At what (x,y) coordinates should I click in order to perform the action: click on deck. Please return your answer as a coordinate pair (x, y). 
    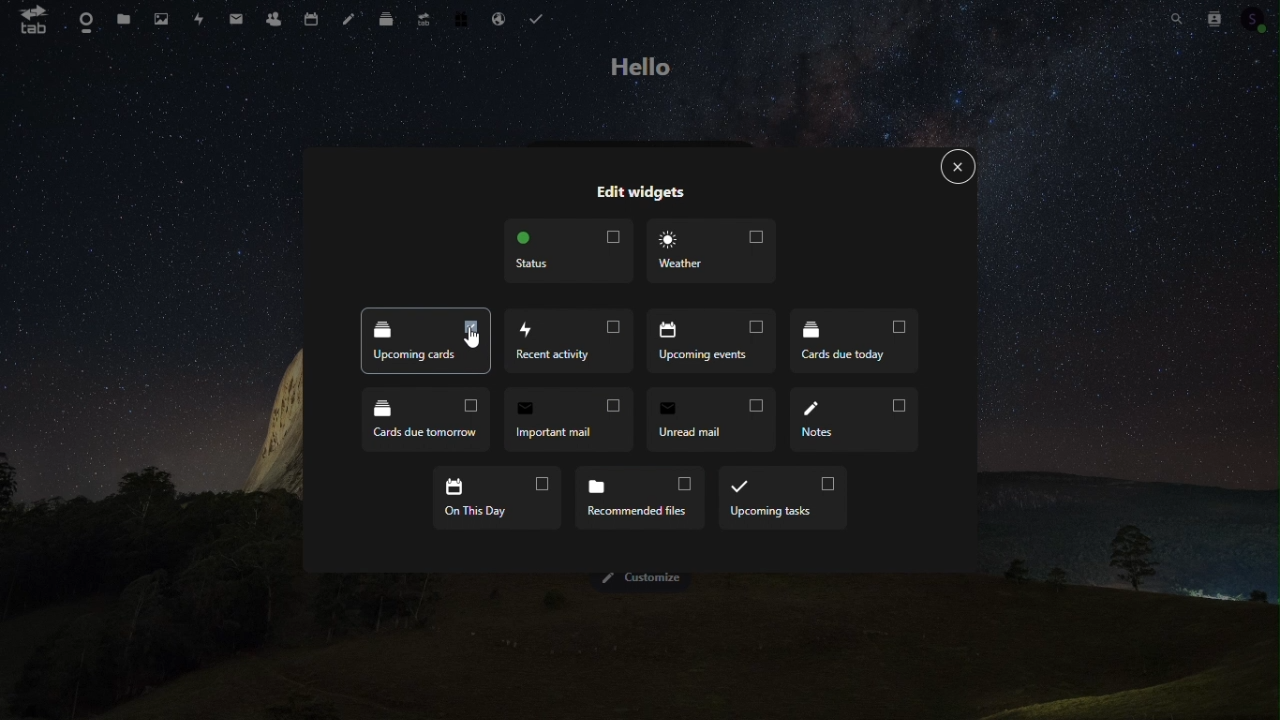
    Looking at the image, I should click on (382, 19).